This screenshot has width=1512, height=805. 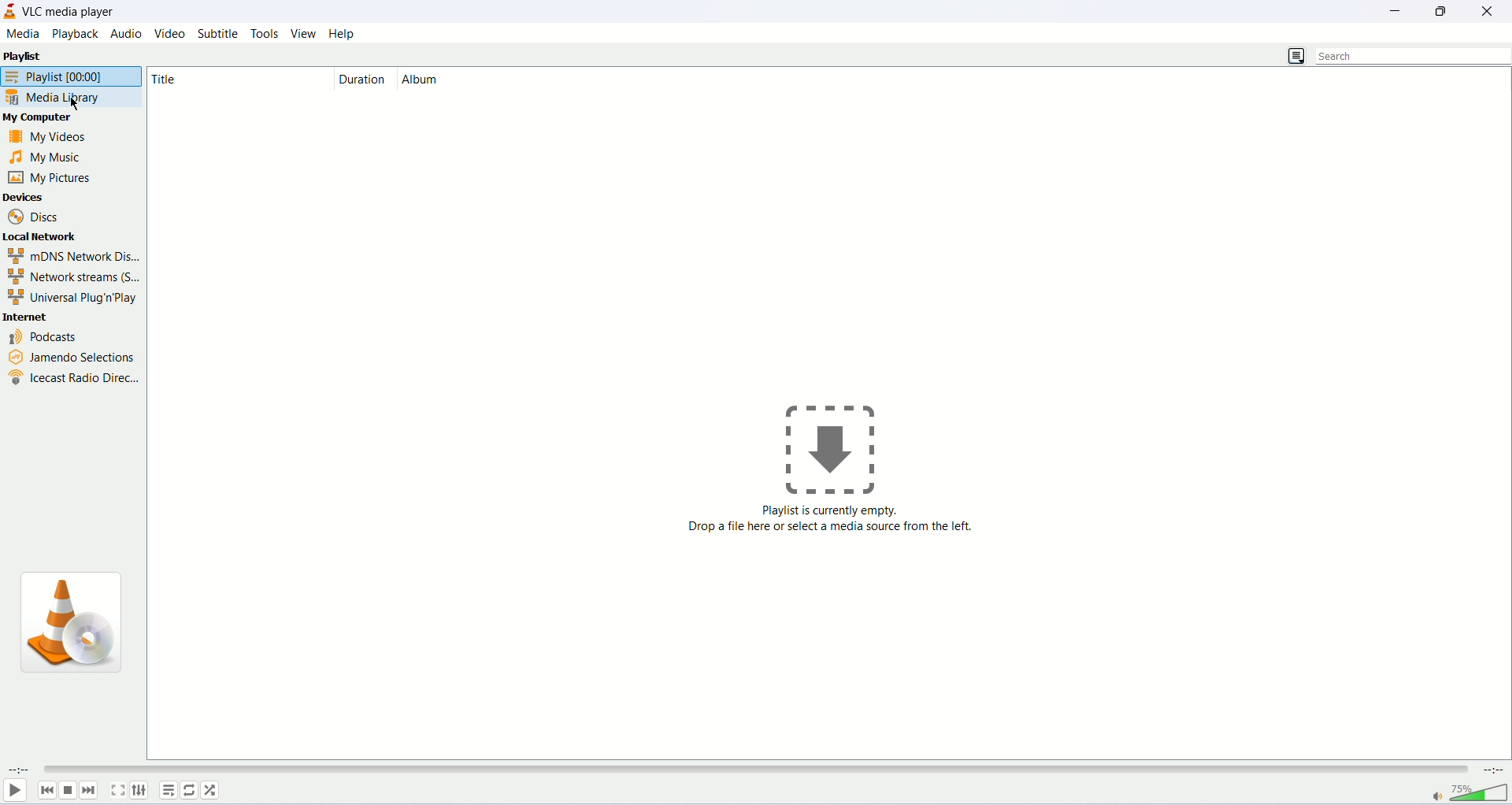 I want to click on subtitle, so click(x=220, y=33).